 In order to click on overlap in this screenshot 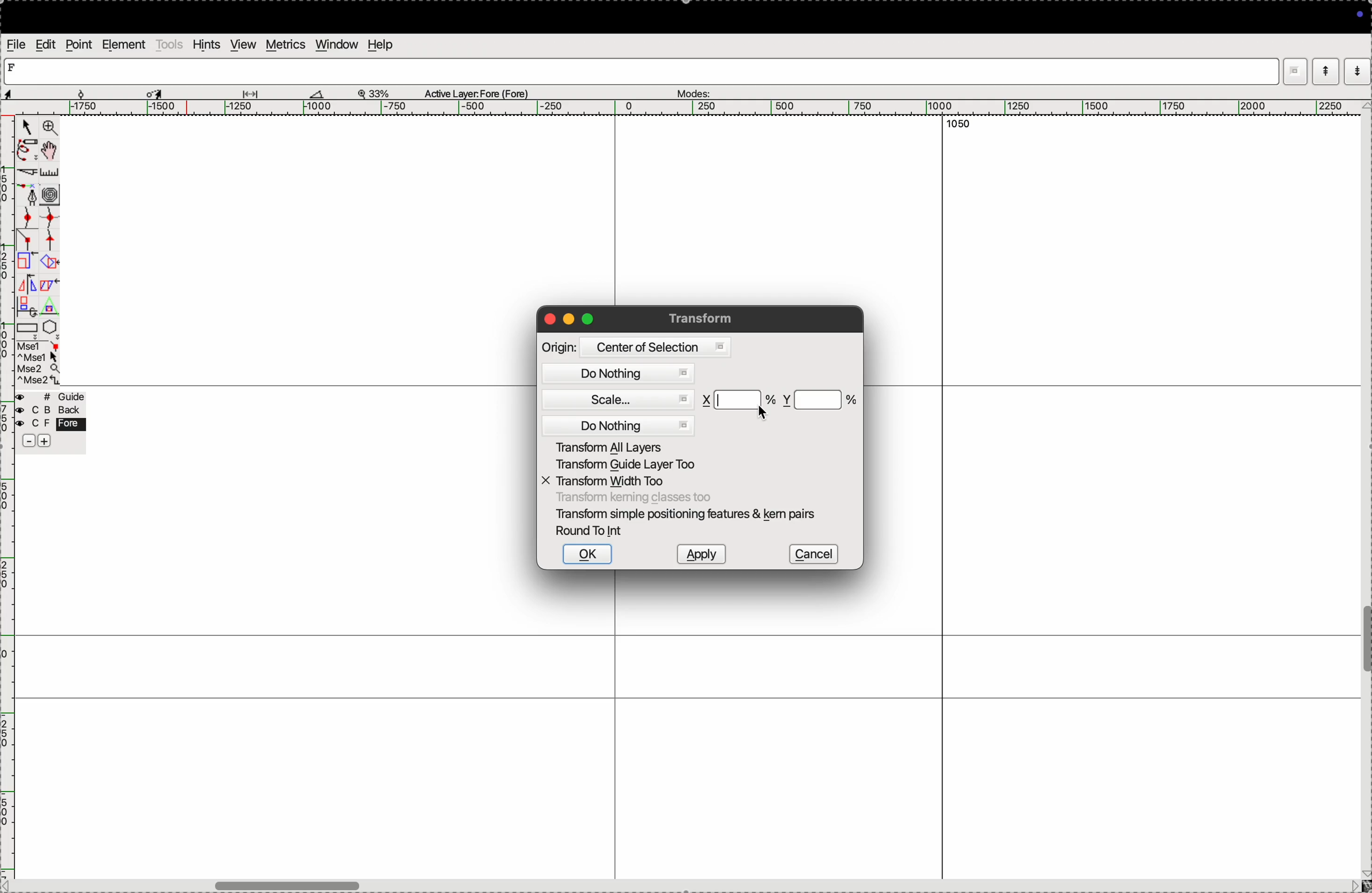, I will do `click(51, 262)`.